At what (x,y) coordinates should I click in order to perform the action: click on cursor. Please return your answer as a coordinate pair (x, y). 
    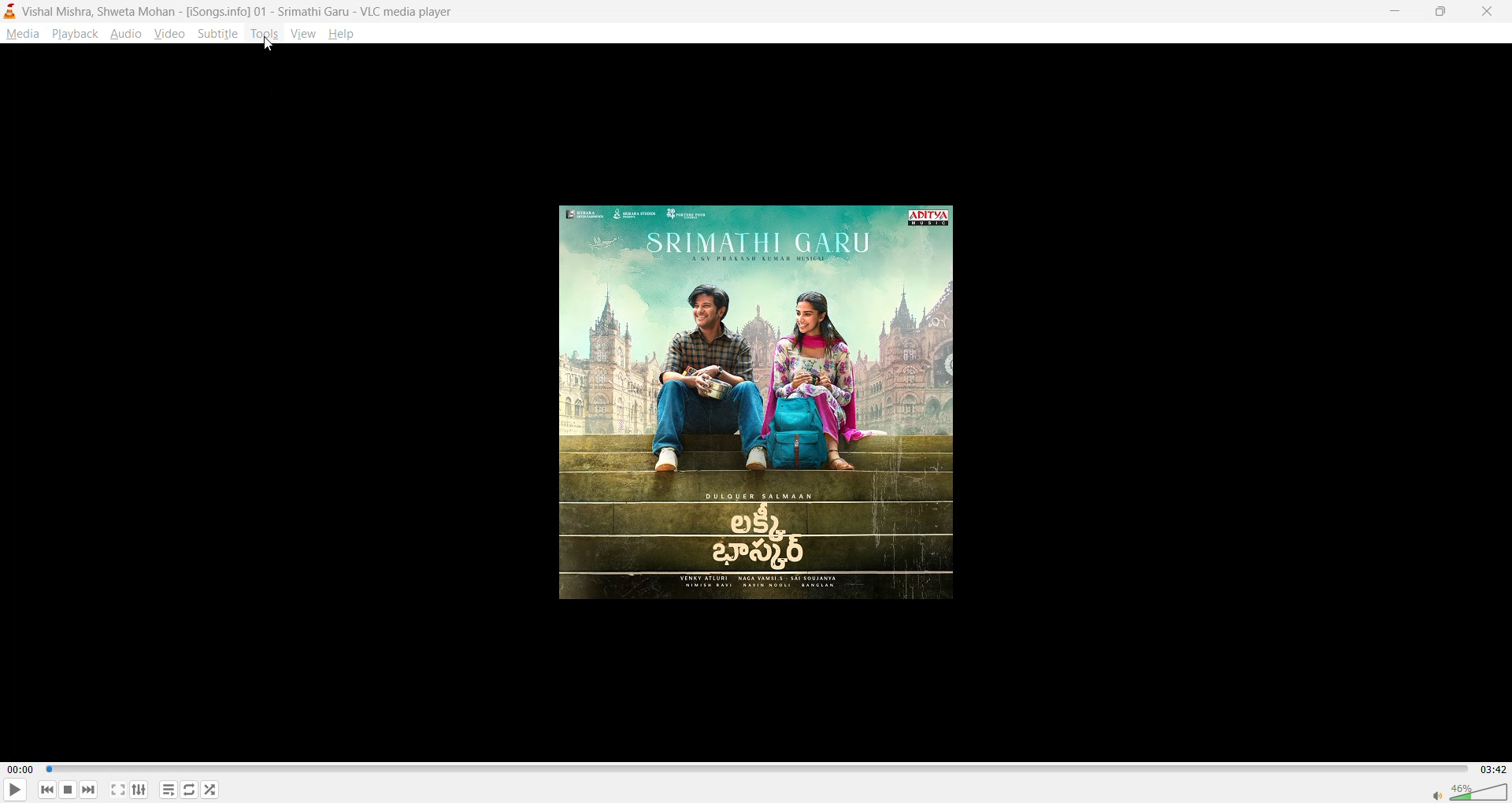
    Looking at the image, I should click on (267, 46).